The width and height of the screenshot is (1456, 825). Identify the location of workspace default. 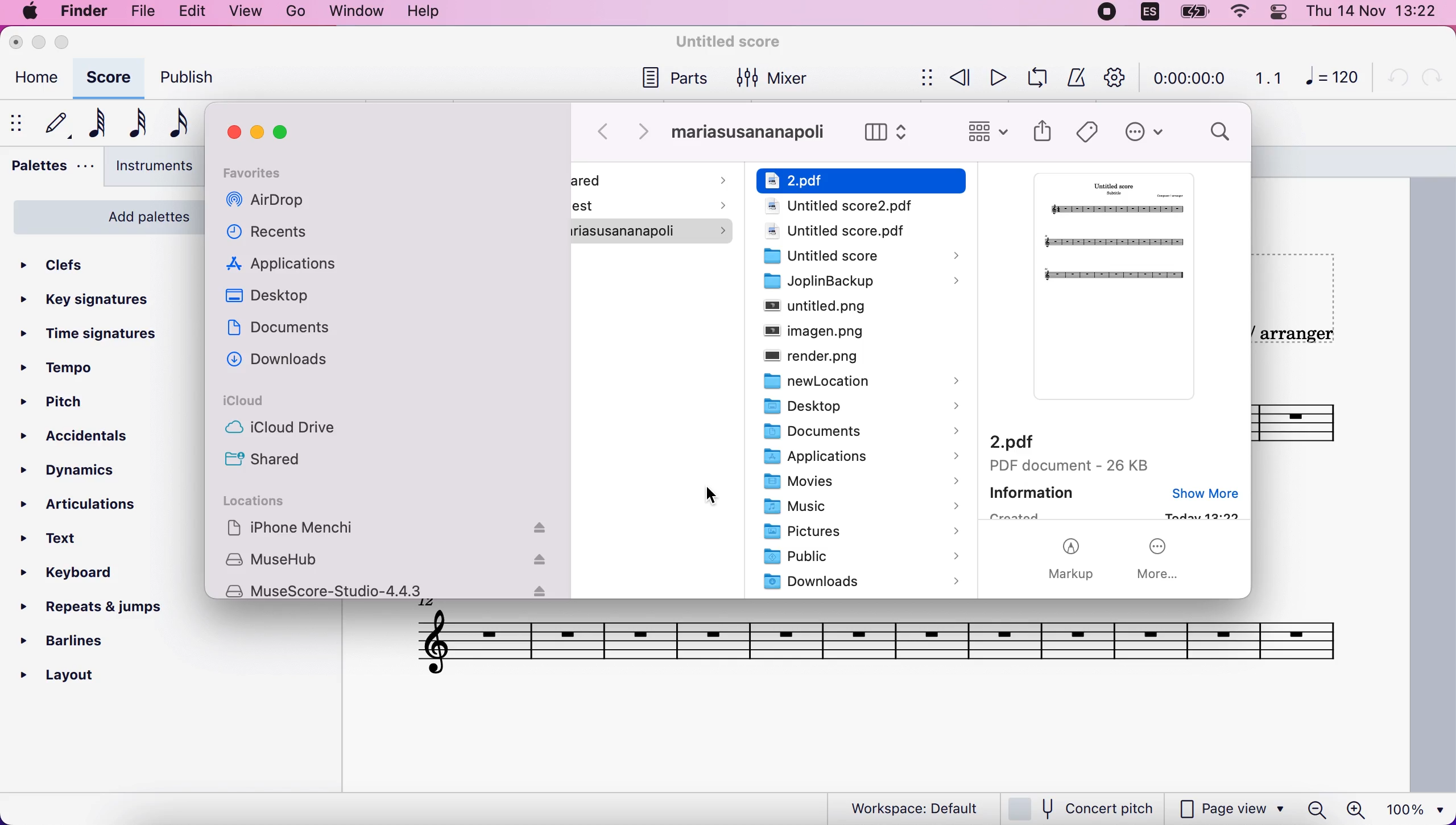
(907, 807).